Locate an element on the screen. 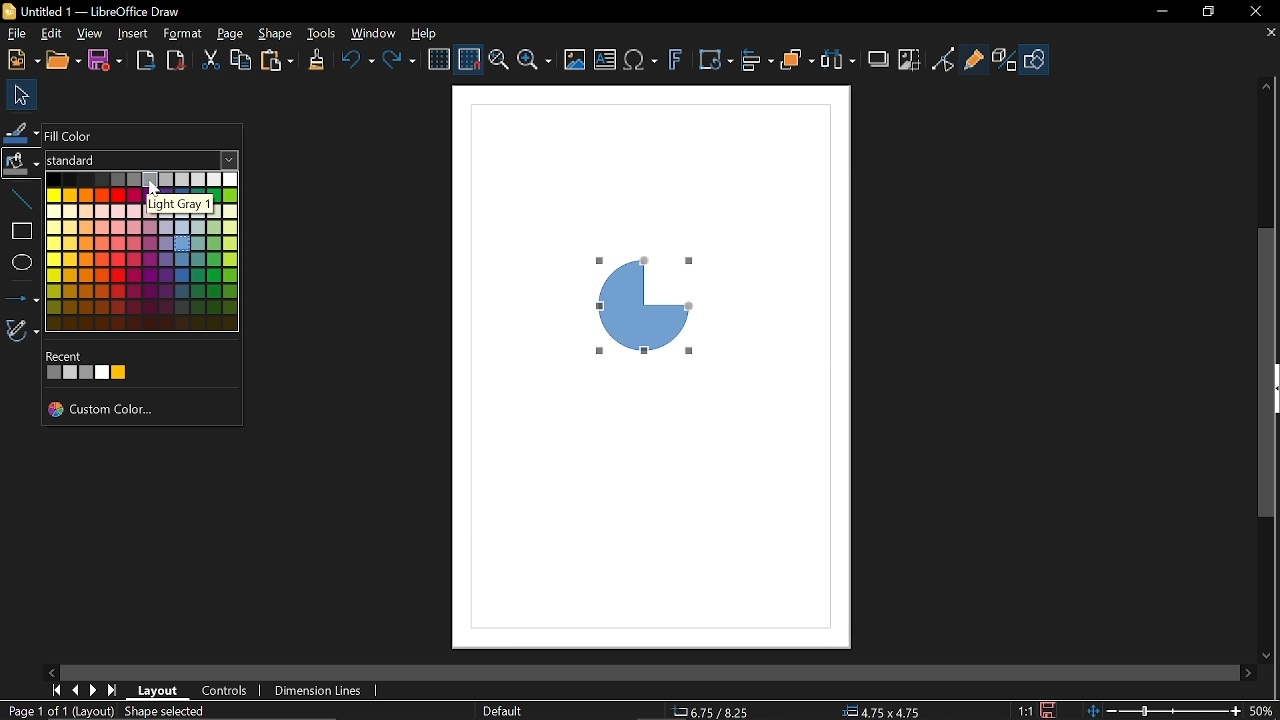 This screenshot has width=1280, height=720. Line is located at coordinates (22, 201).